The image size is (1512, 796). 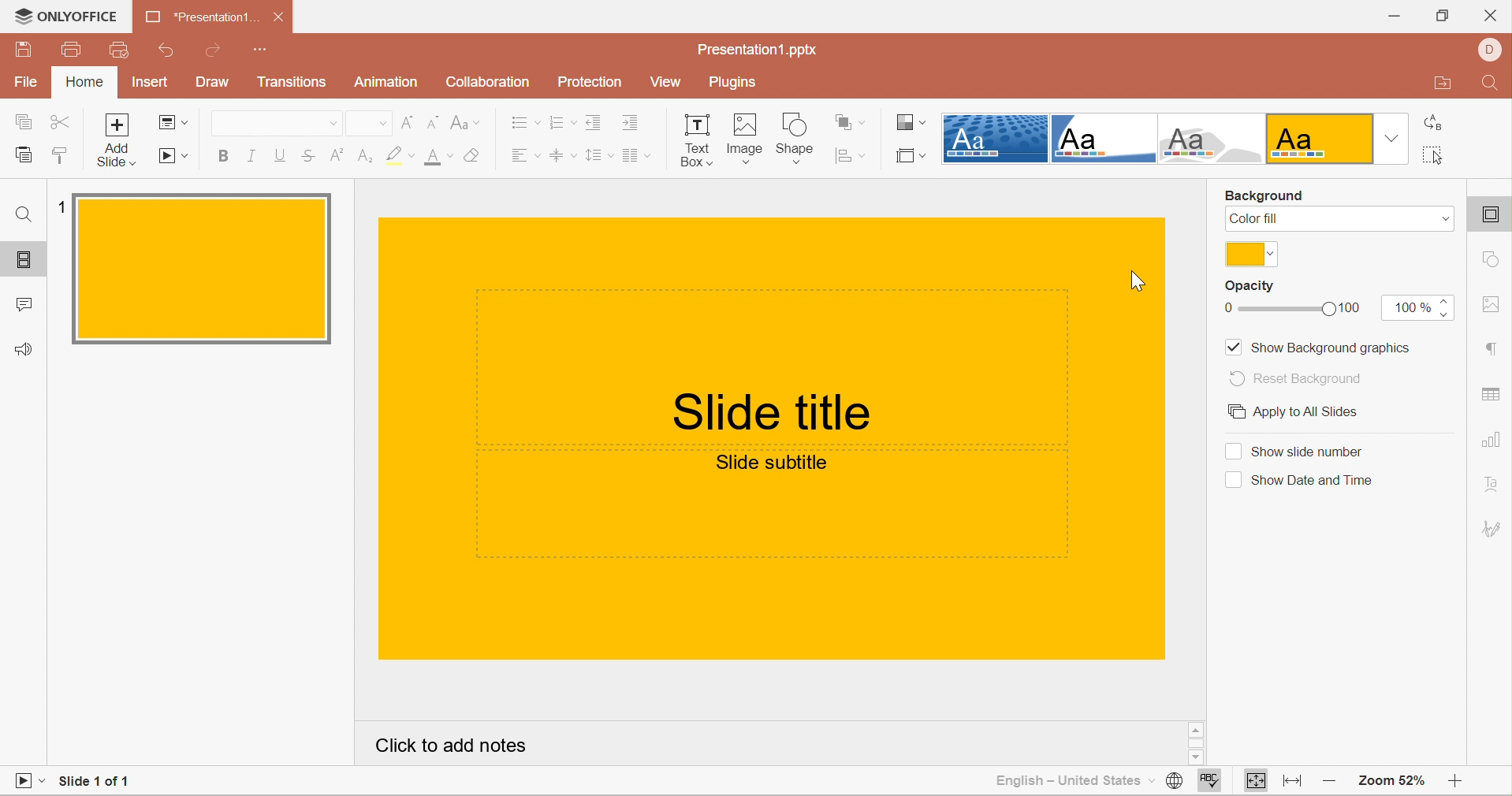 What do you see at coordinates (734, 84) in the screenshot?
I see `Plugins` at bounding box center [734, 84].